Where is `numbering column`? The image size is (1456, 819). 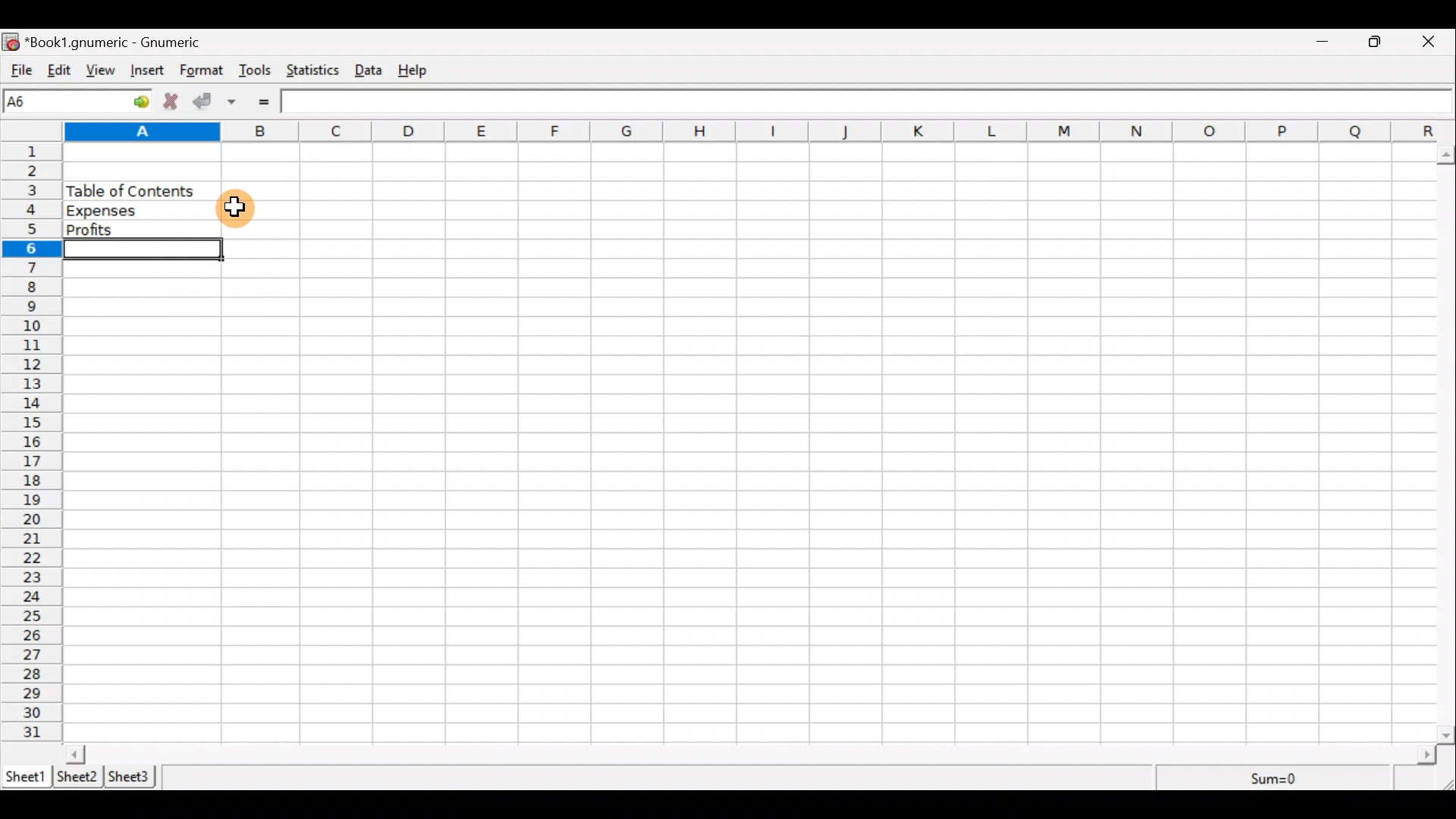 numbering column is located at coordinates (30, 444).